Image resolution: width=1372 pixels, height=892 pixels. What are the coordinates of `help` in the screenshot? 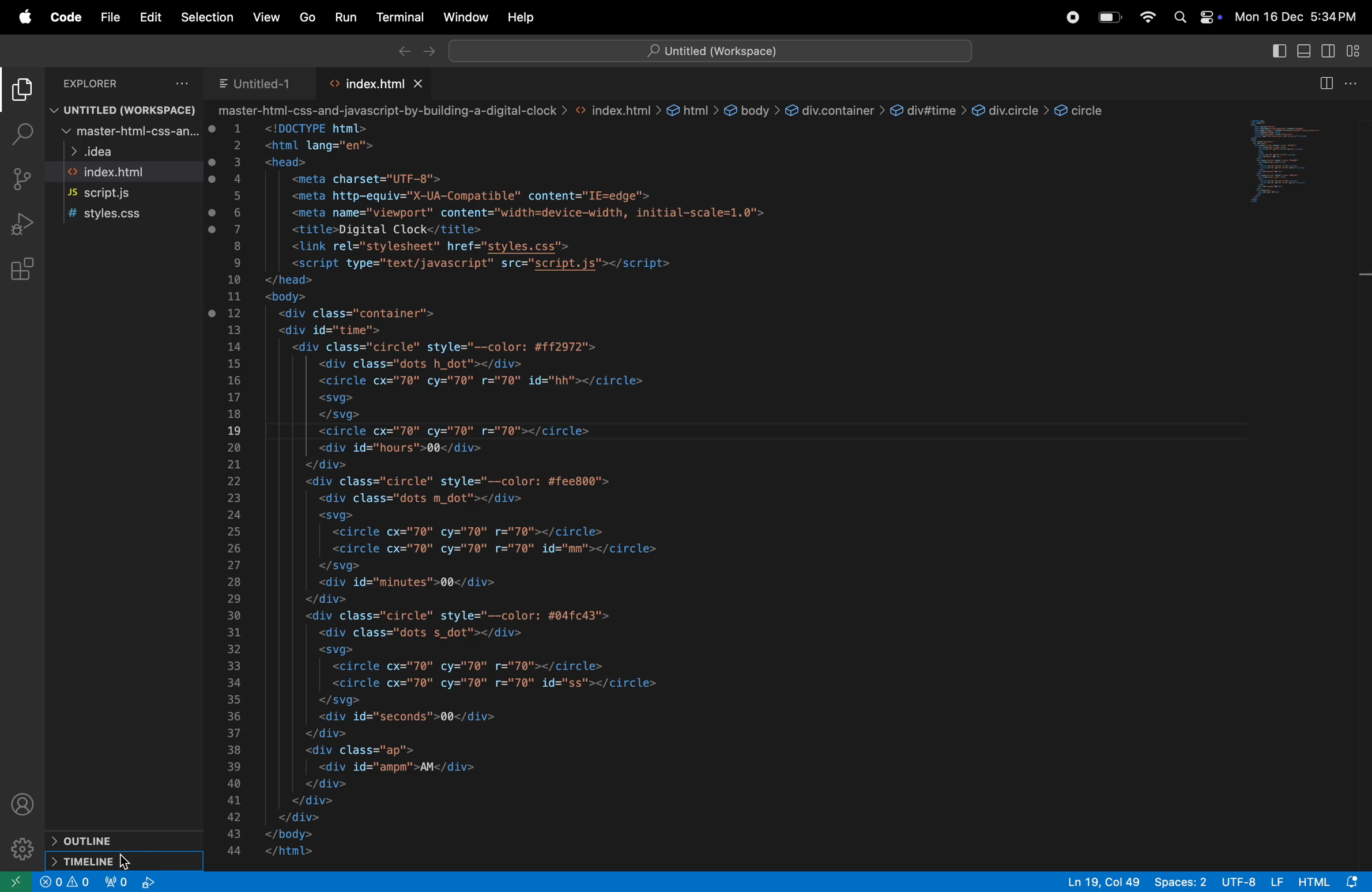 It's located at (526, 17).